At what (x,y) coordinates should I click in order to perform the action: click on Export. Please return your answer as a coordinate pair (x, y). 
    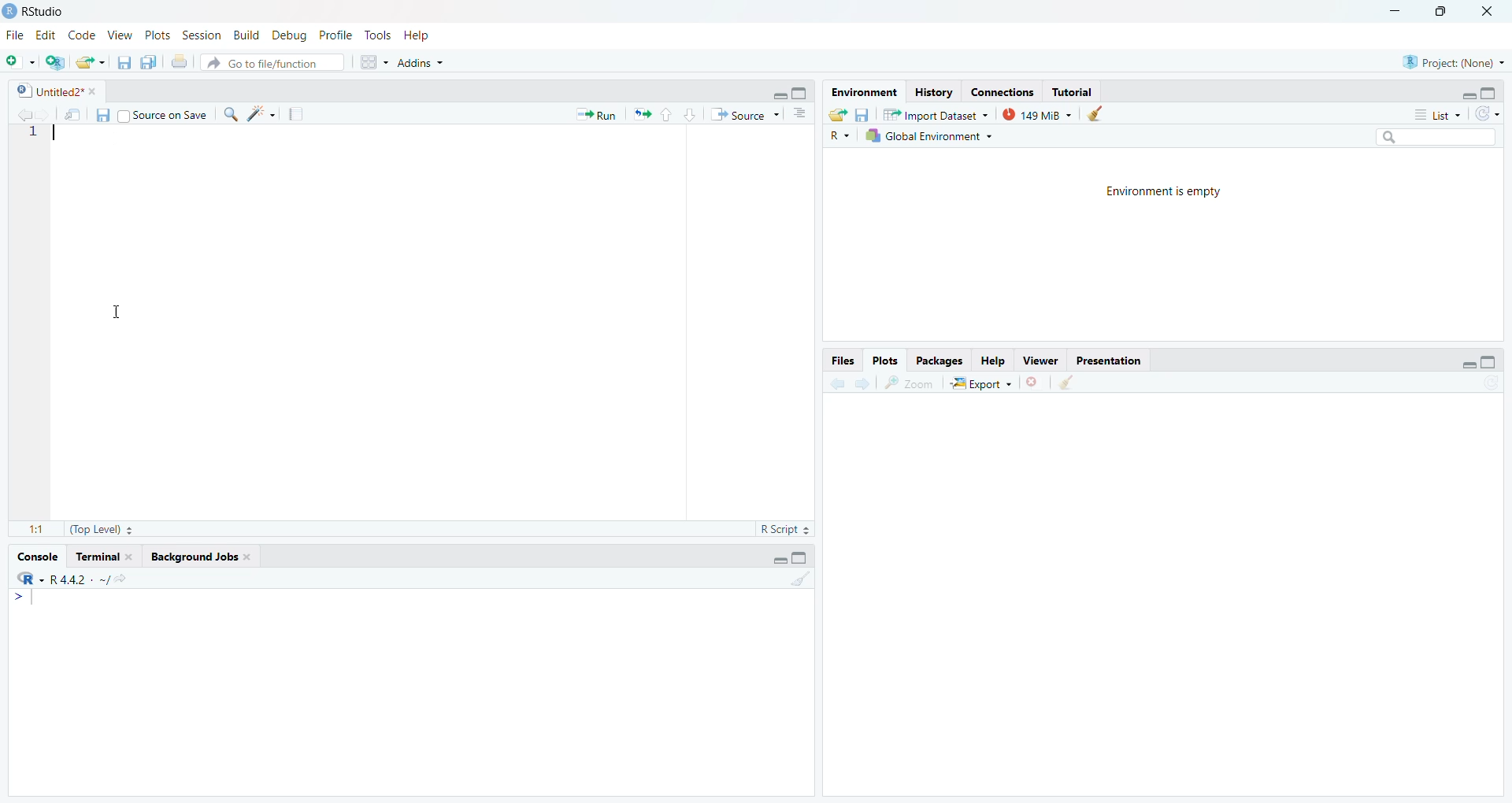
    Looking at the image, I should click on (982, 381).